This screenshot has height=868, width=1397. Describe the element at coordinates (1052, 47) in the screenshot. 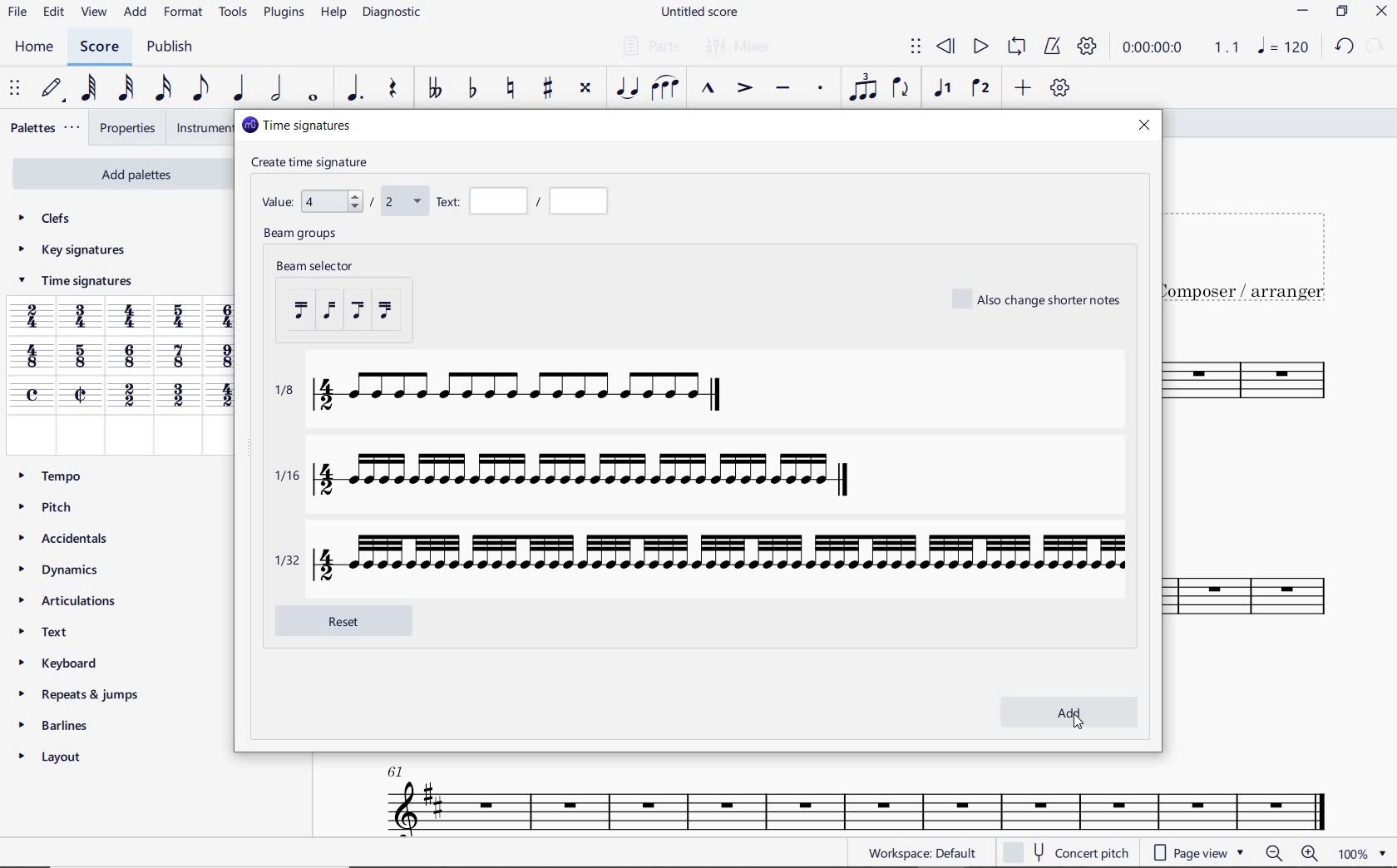

I see `METRONOME` at that location.